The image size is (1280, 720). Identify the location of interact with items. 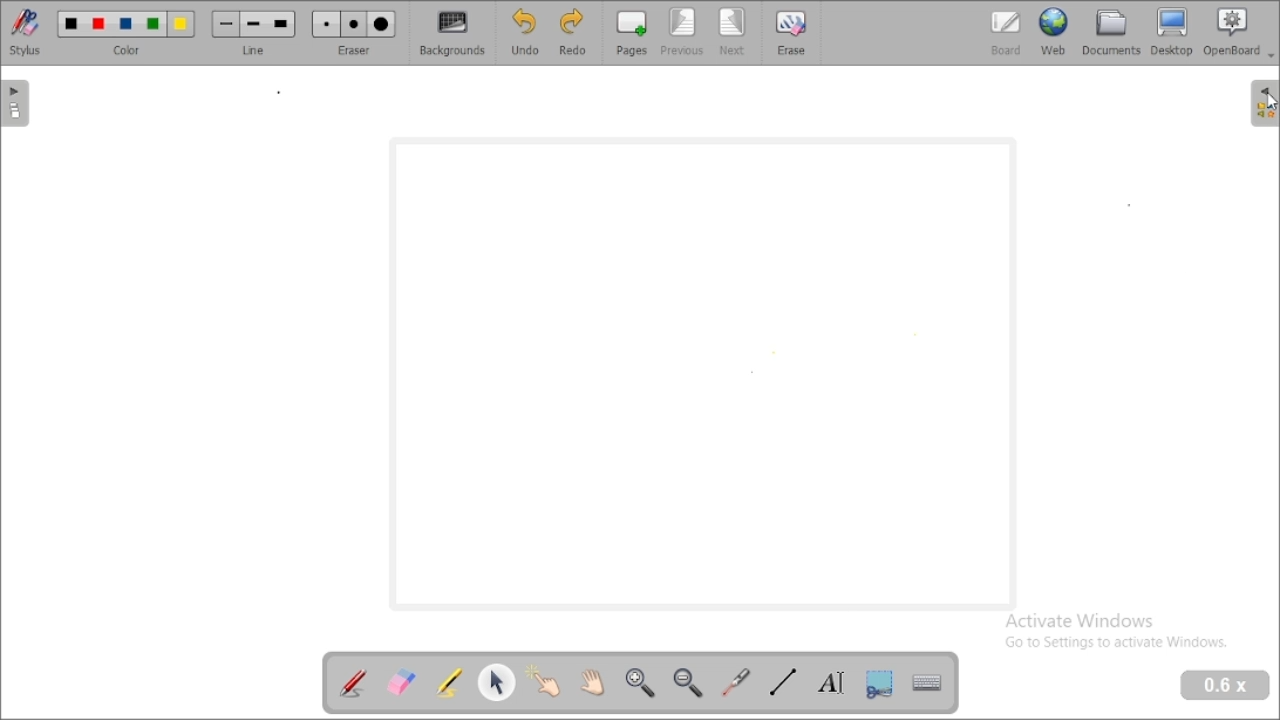
(547, 679).